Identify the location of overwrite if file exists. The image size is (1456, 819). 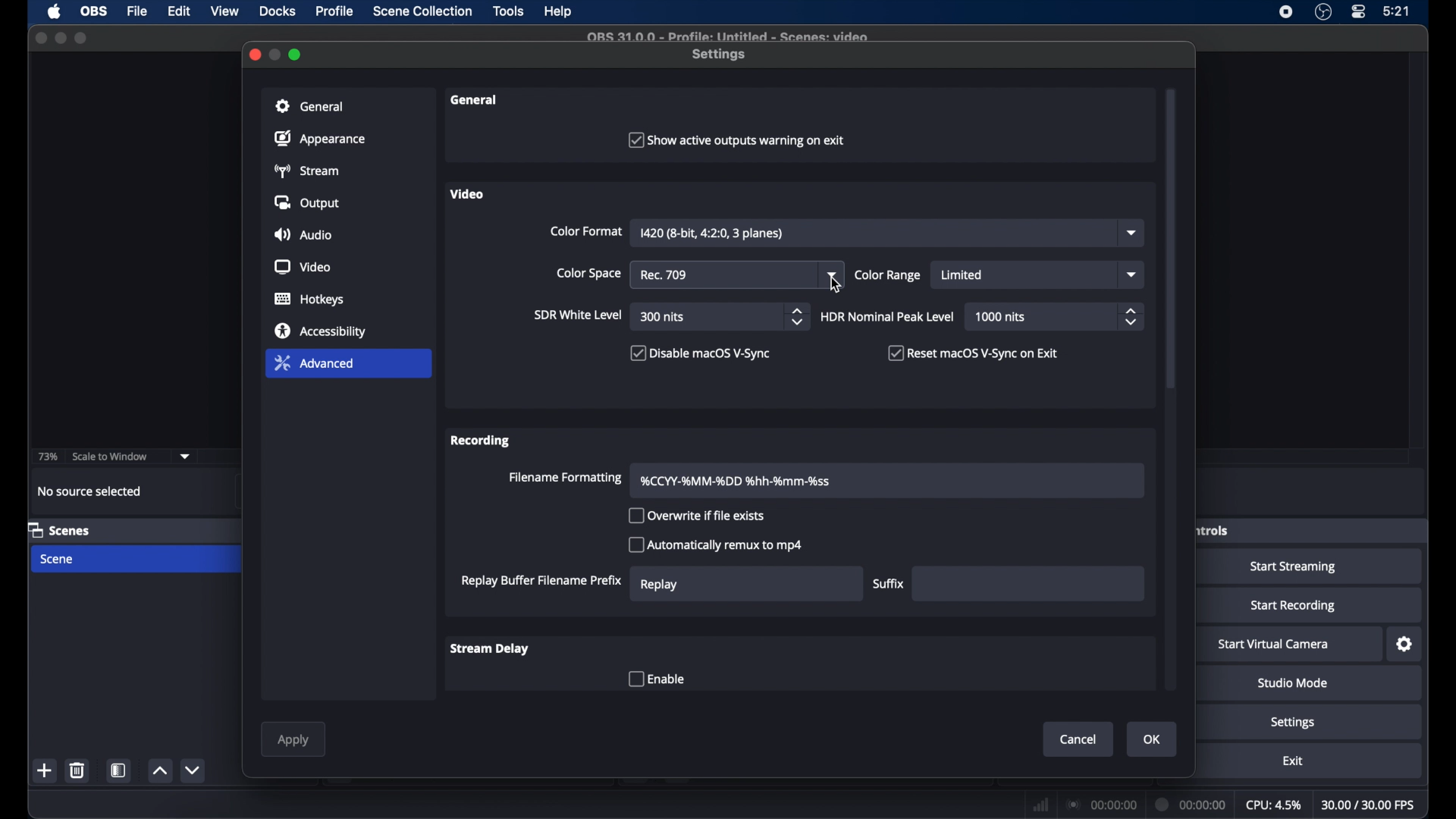
(697, 515).